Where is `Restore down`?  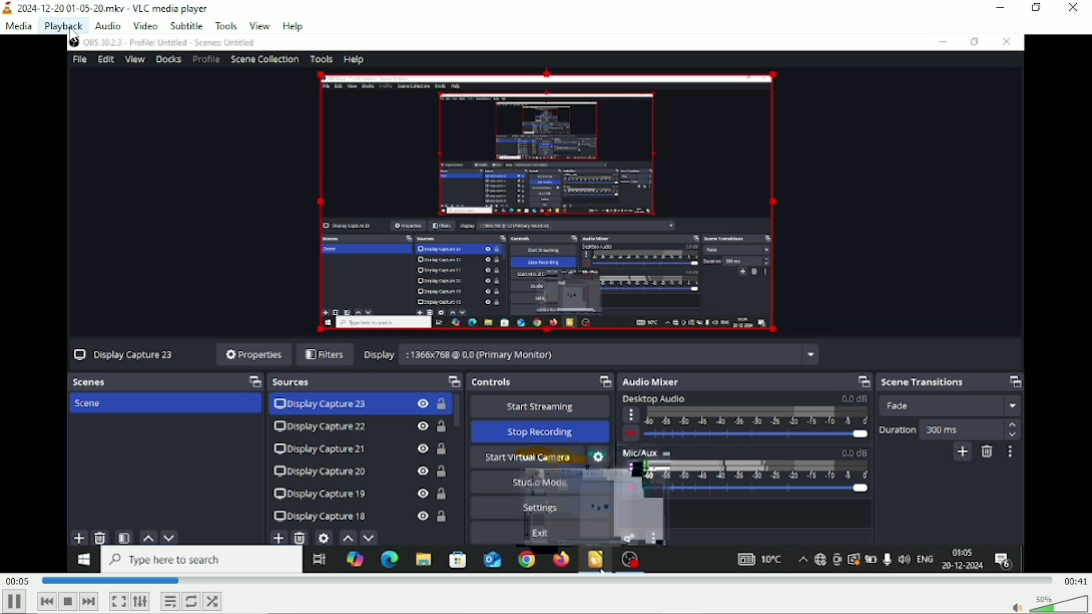
Restore down is located at coordinates (1037, 8).